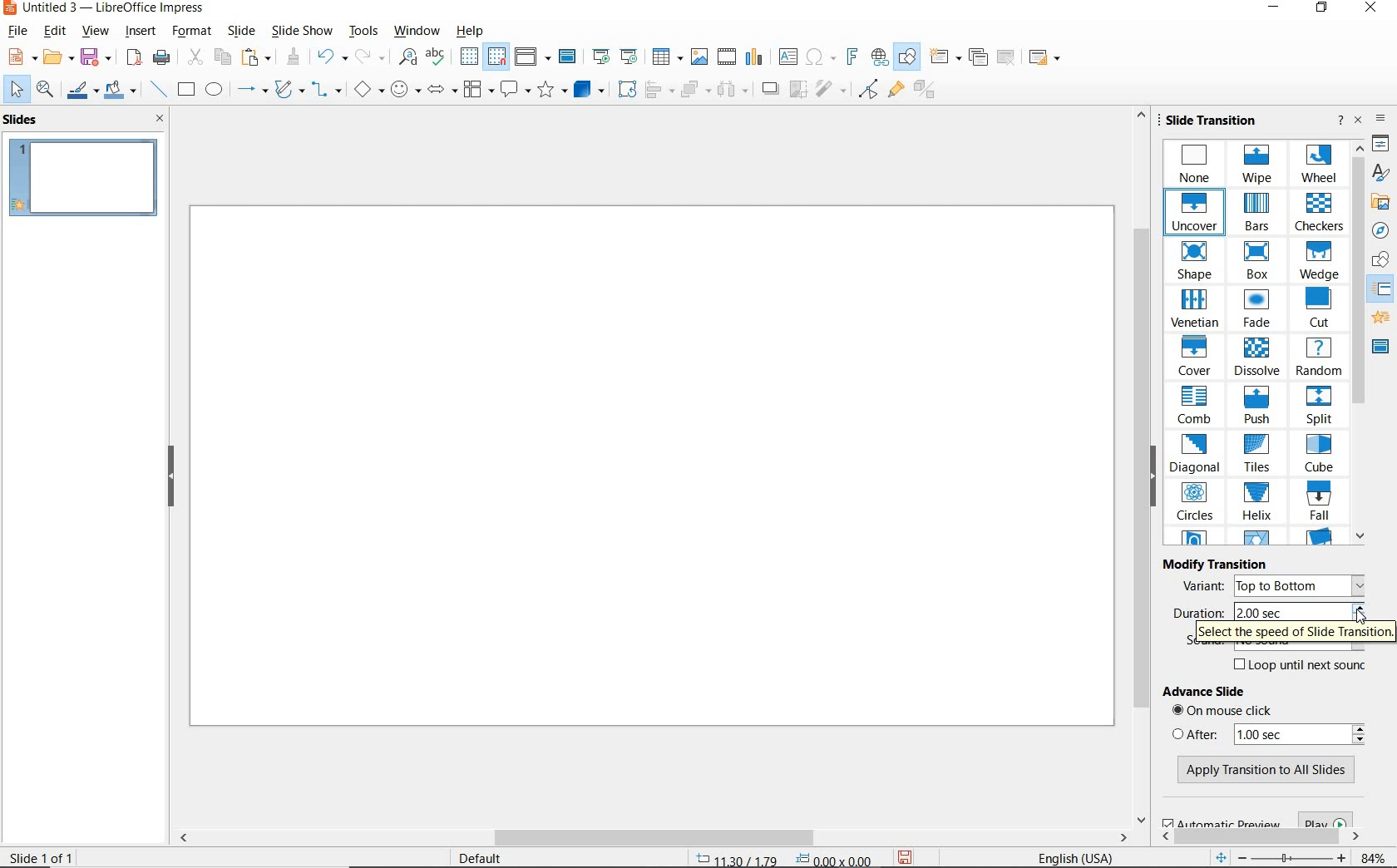 This screenshot has width=1397, height=868. Describe the element at coordinates (1260, 454) in the screenshot. I see `TILES` at that location.